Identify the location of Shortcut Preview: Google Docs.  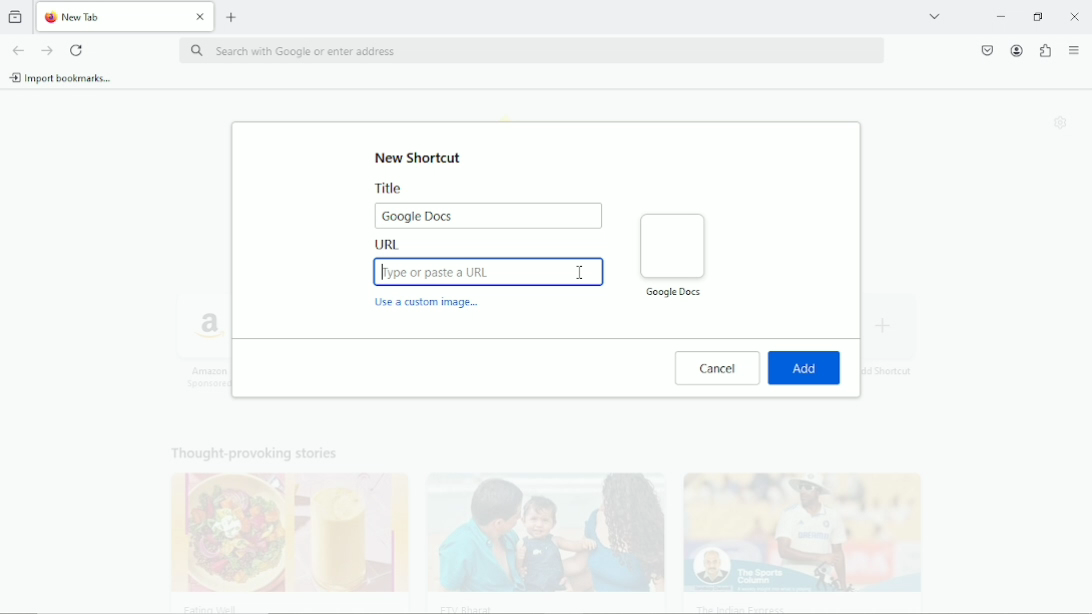
(672, 254).